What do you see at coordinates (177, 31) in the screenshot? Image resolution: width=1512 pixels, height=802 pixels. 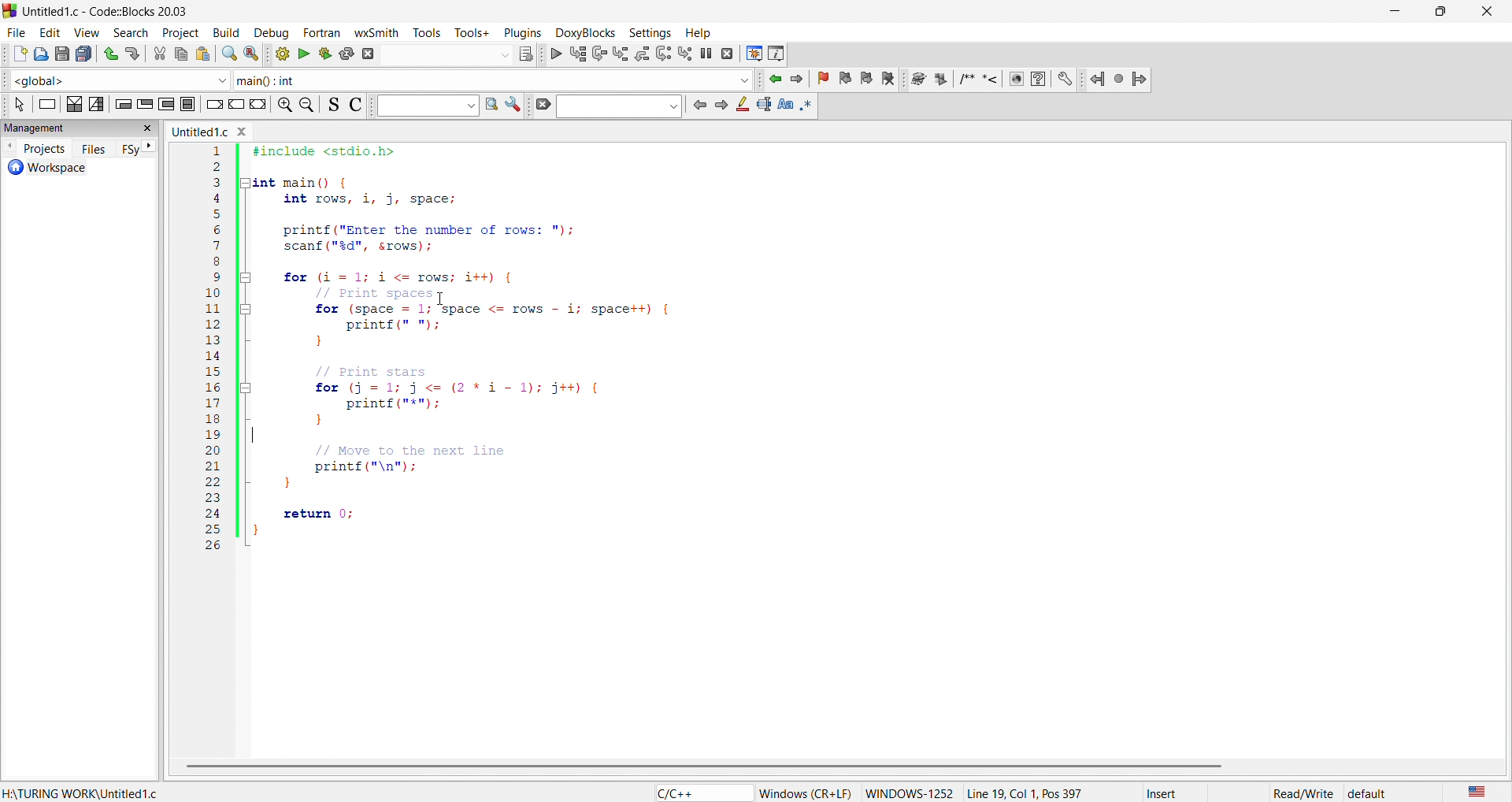 I see `project` at bounding box center [177, 31].